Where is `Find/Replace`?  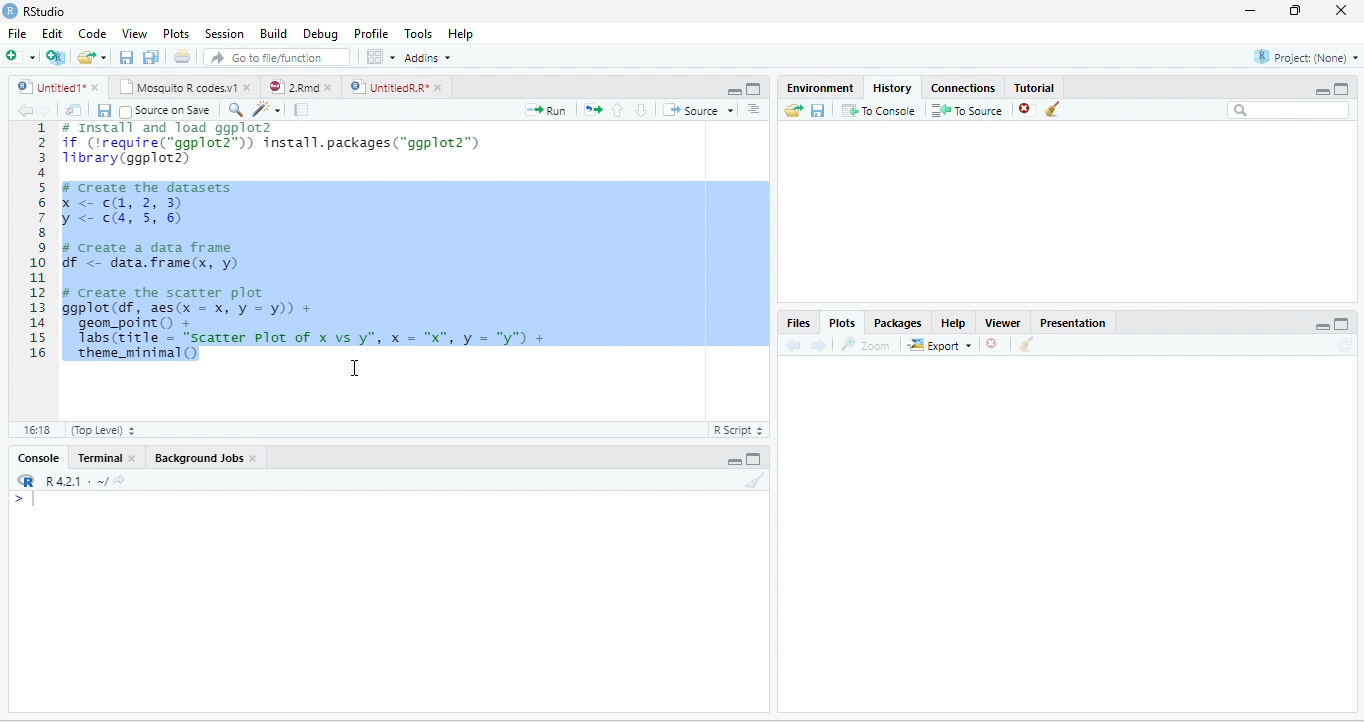 Find/Replace is located at coordinates (237, 111).